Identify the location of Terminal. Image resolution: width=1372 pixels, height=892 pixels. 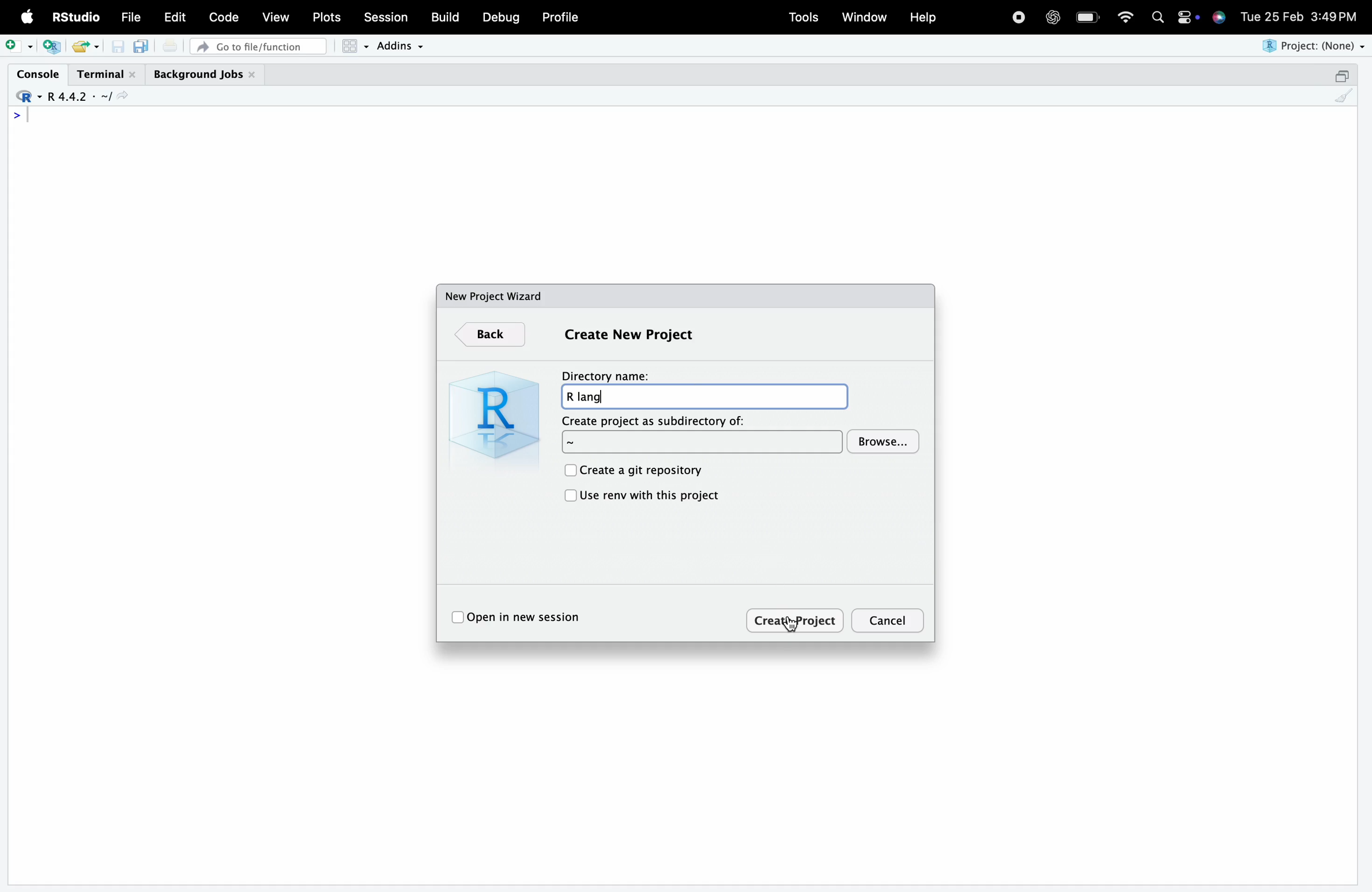
(107, 75).